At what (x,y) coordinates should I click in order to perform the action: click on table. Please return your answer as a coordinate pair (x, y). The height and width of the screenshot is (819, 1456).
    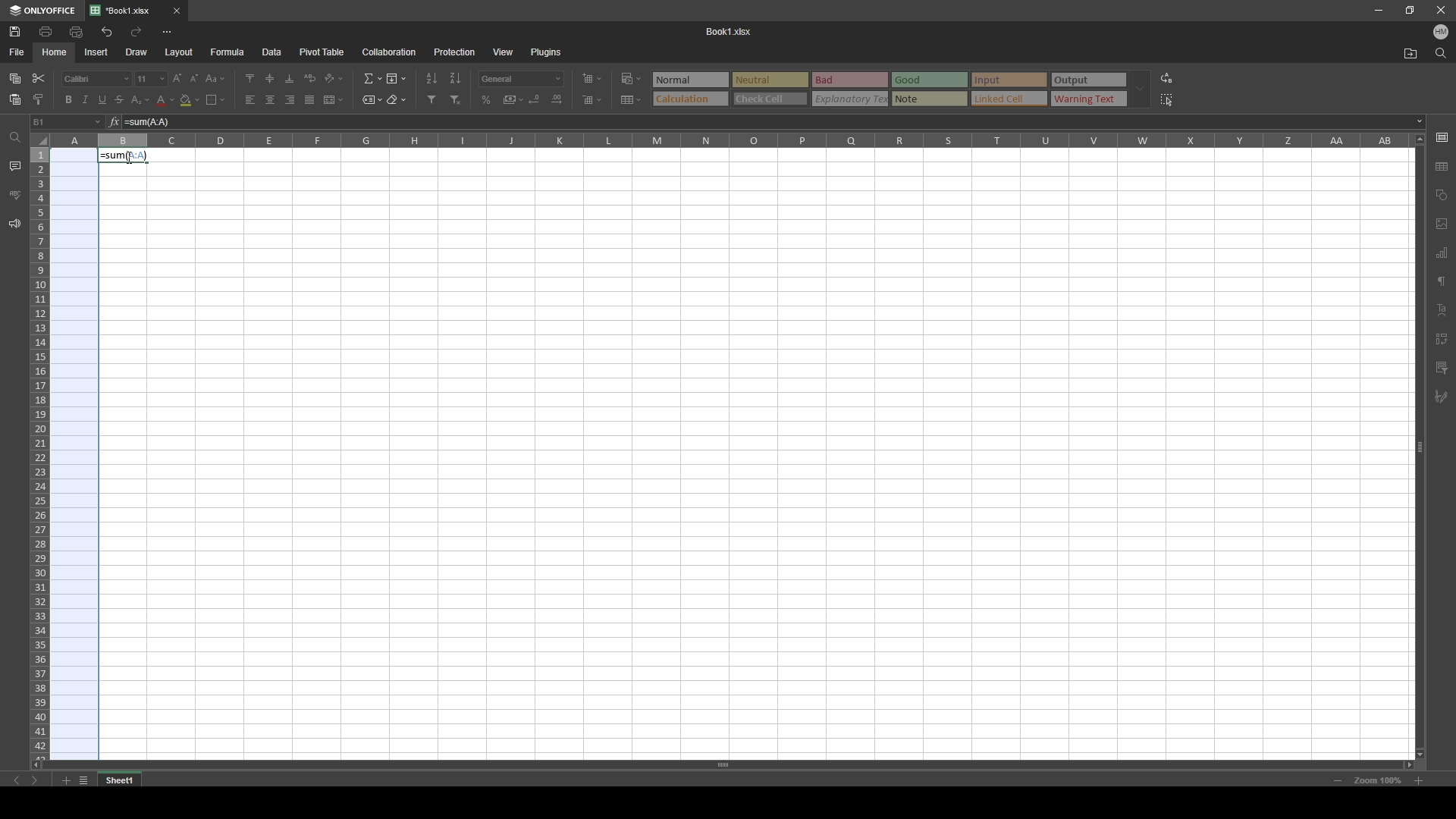
    Looking at the image, I should click on (1444, 164).